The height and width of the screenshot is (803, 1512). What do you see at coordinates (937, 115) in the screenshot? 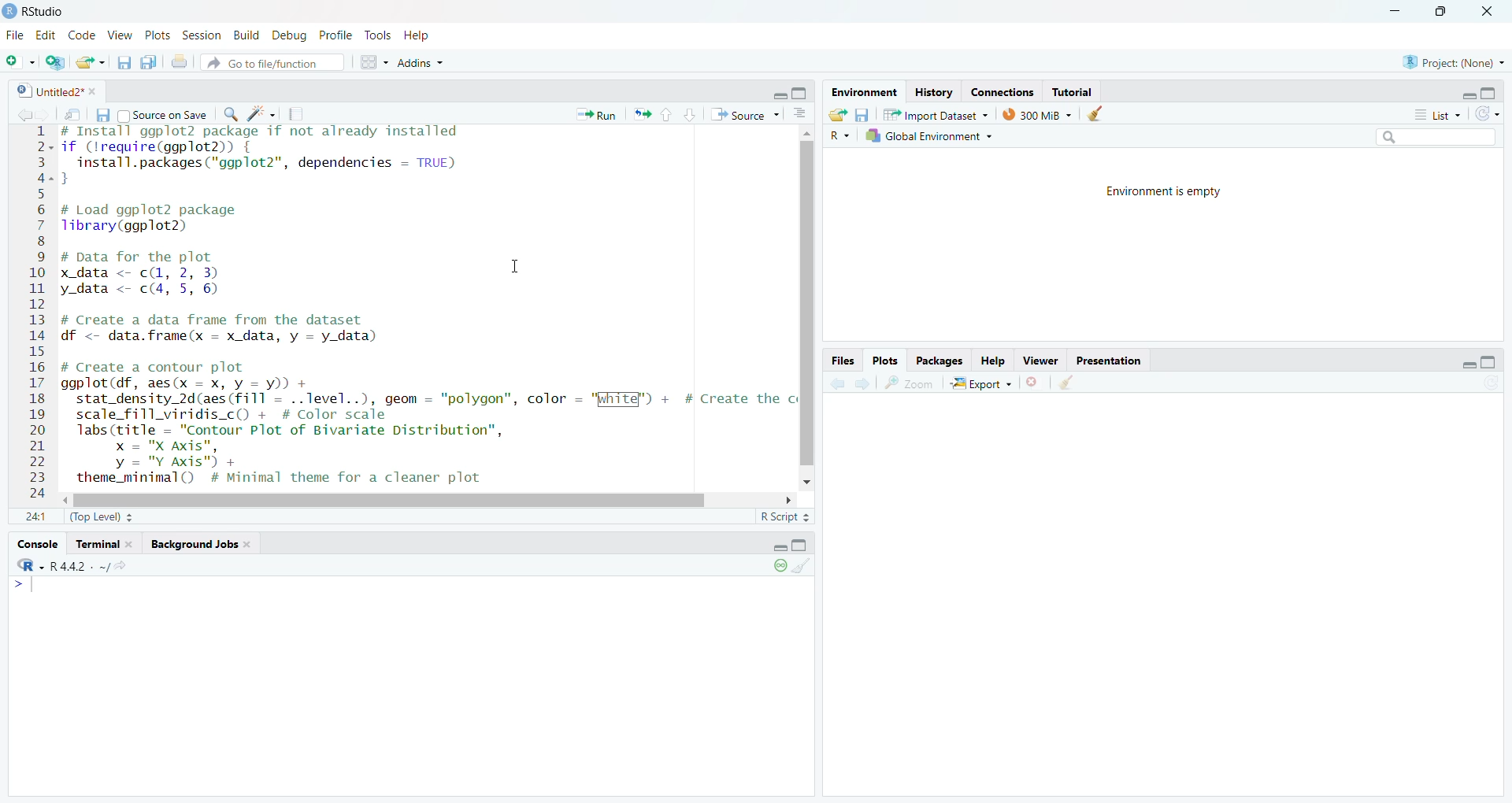
I see ` Import Dataset ` at bounding box center [937, 115].